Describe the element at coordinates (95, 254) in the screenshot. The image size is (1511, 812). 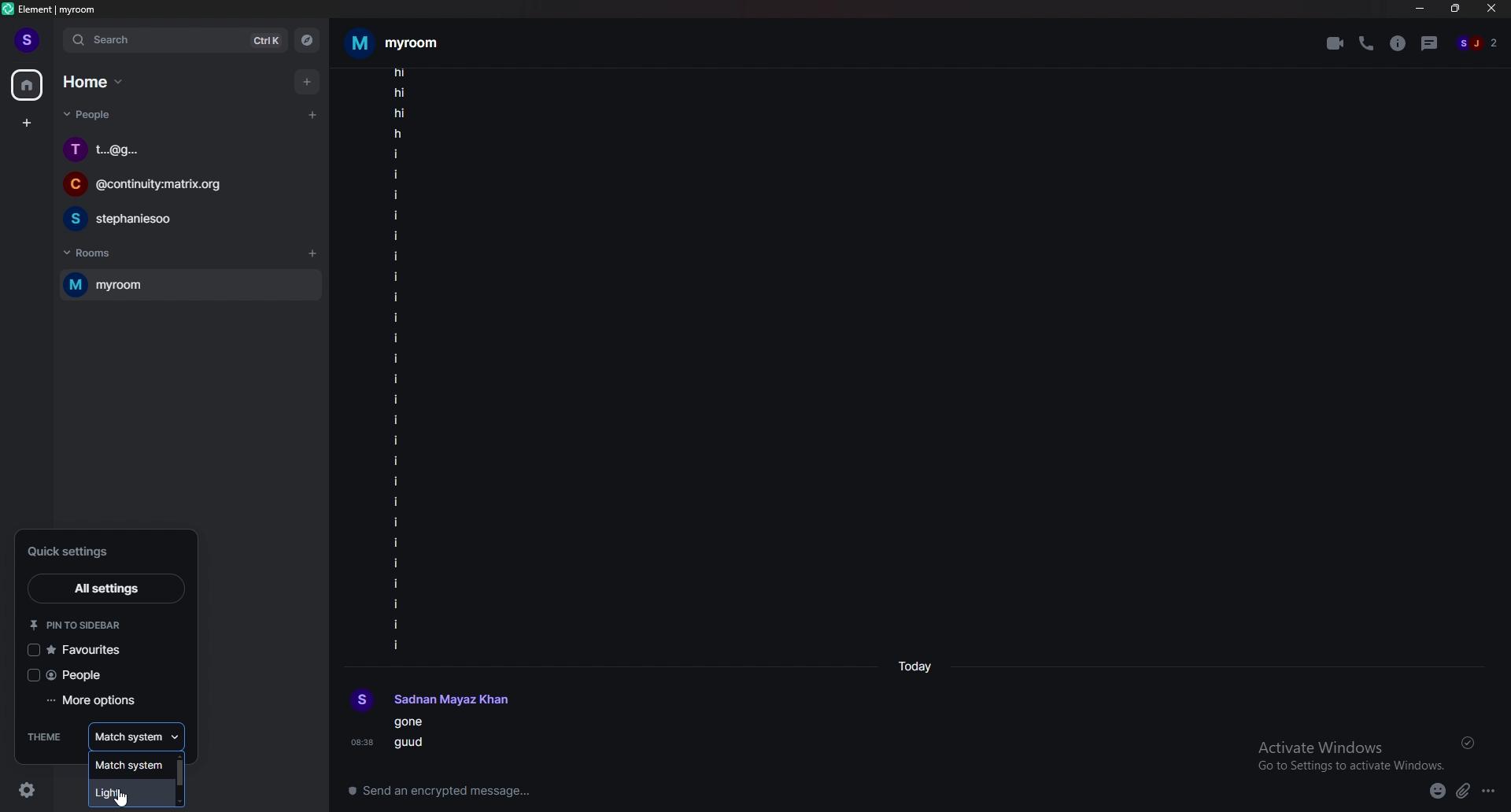
I see `rooms` at that location.